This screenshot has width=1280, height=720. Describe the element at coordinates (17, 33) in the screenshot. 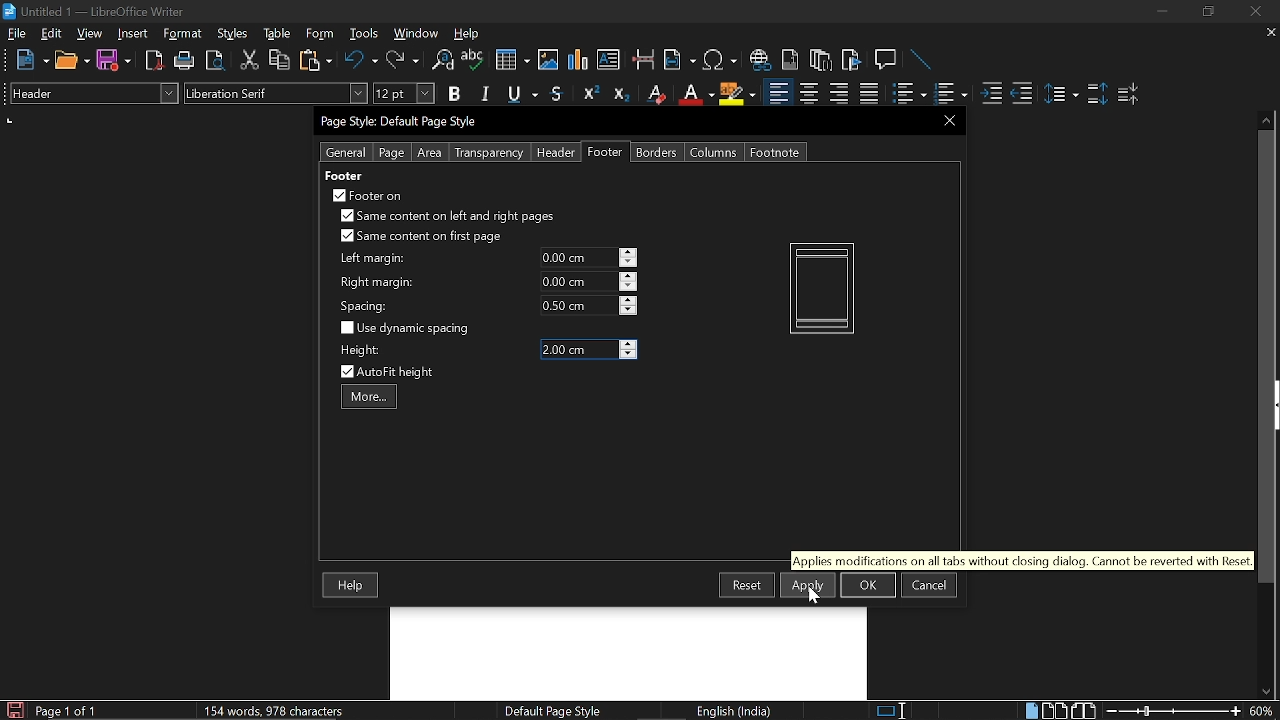

I see `File` at that location.